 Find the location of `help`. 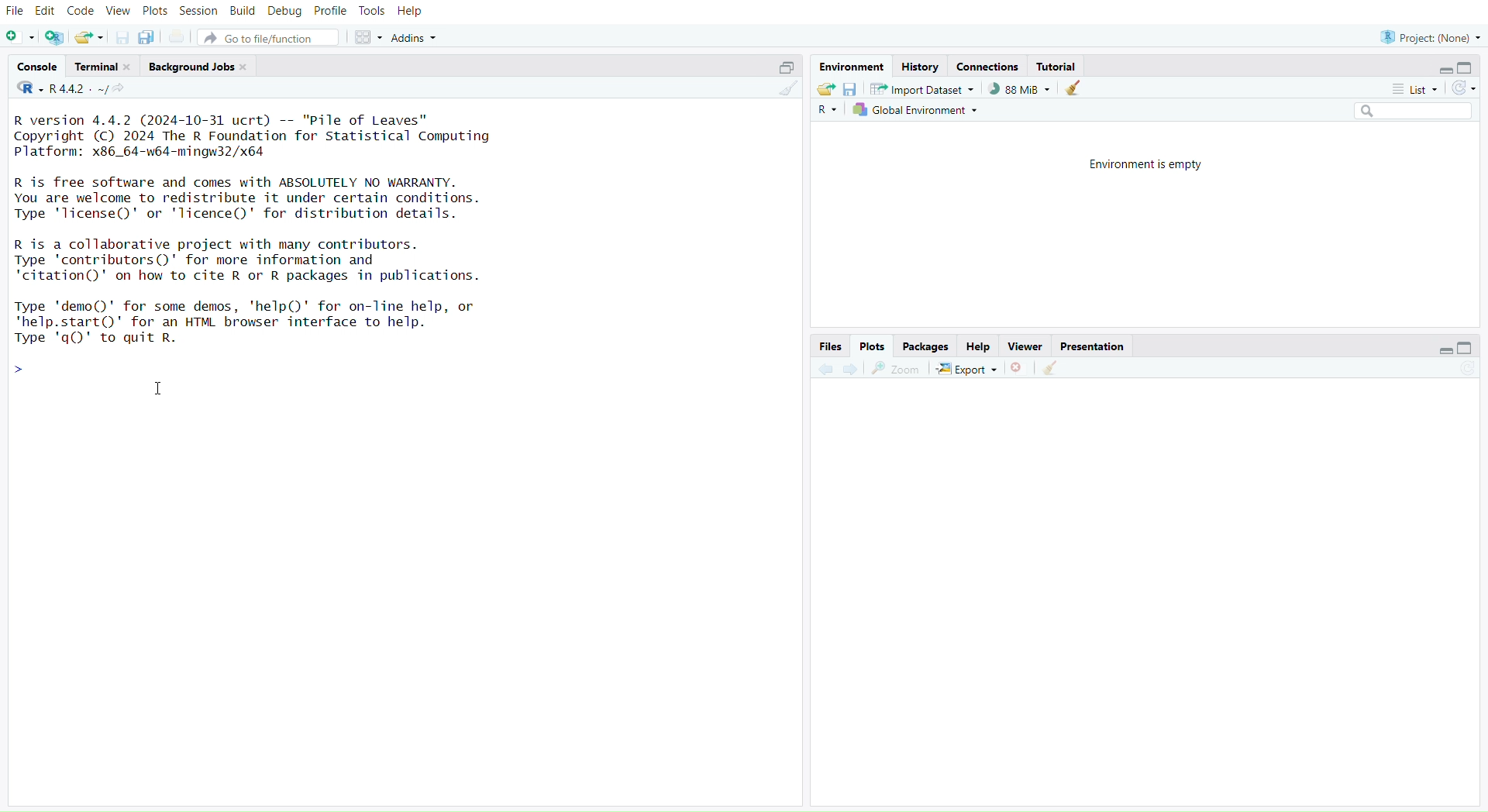

help is located at coordinates (979, 347).